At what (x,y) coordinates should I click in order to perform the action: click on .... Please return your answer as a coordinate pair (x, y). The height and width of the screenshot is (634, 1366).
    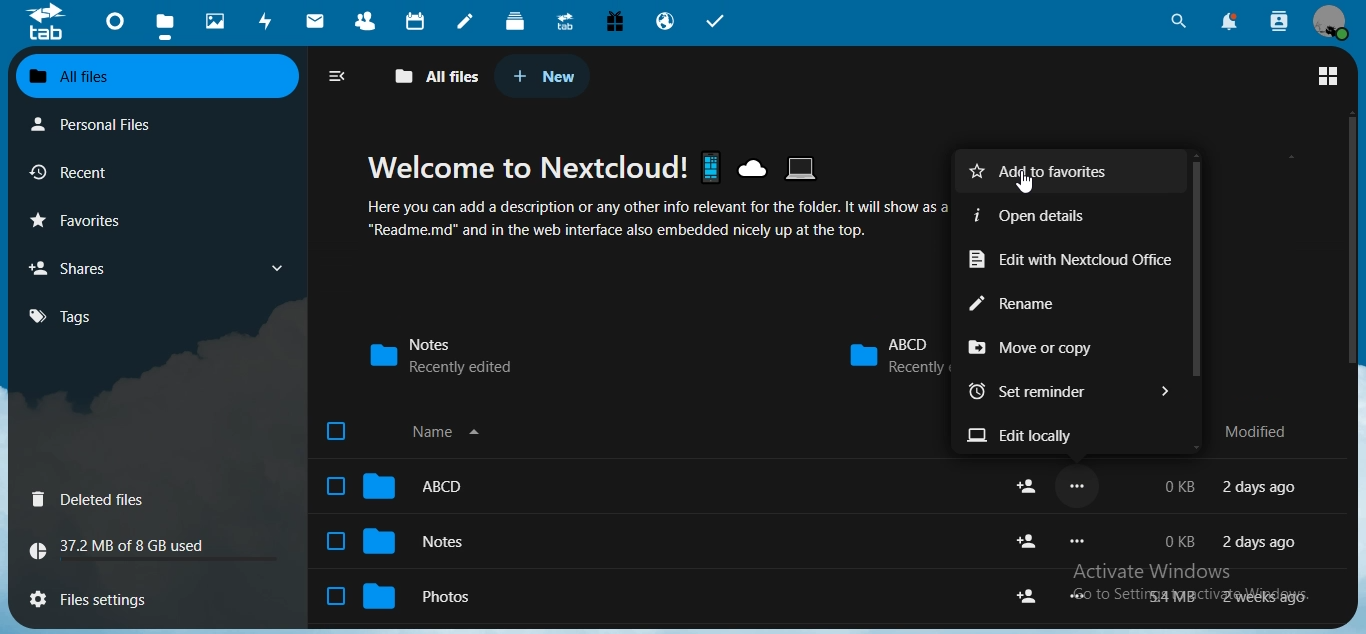
    Looking at the image, I should click on (1074, 597).